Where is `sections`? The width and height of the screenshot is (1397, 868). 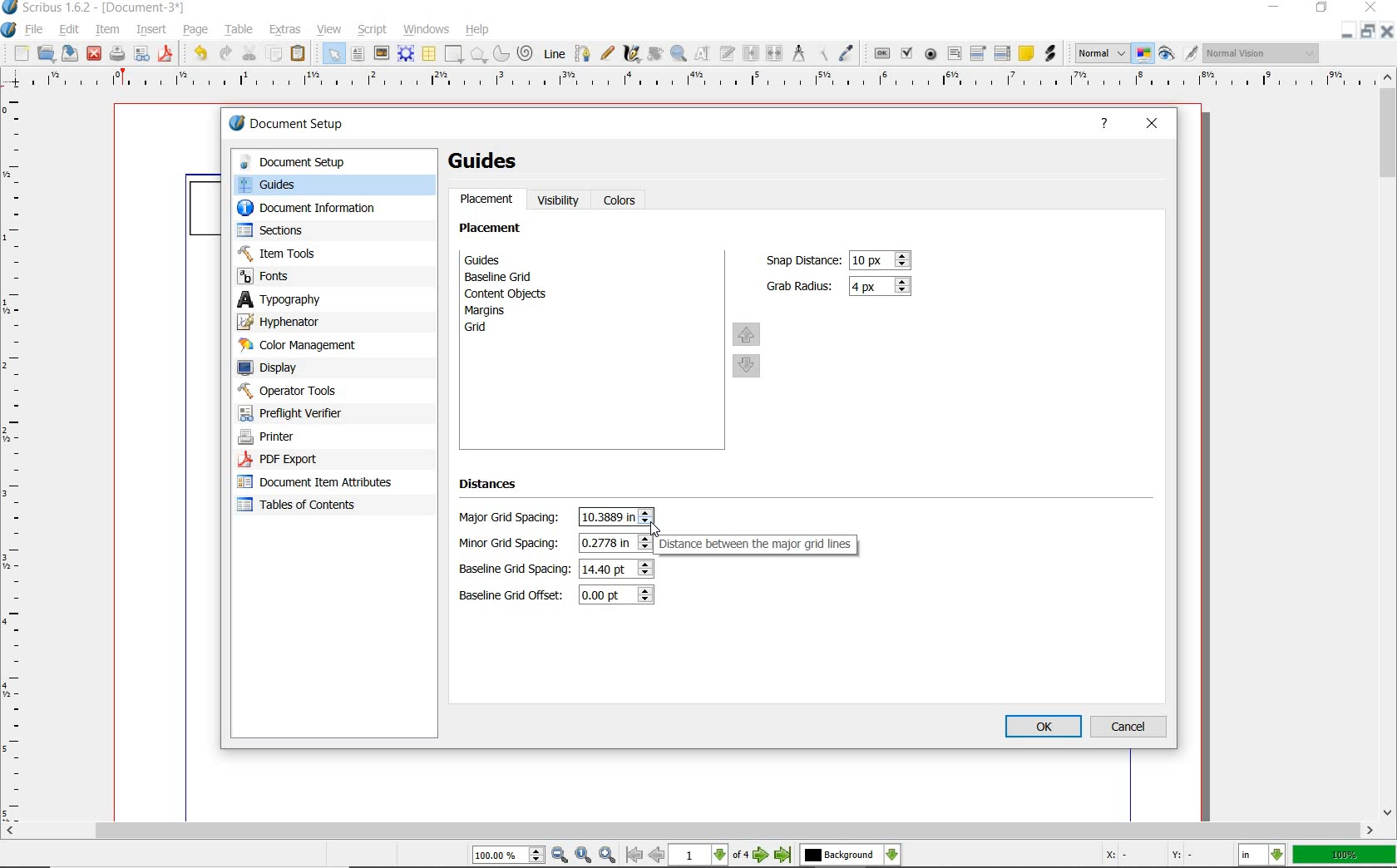 sections is located at coordinates (322, 232).